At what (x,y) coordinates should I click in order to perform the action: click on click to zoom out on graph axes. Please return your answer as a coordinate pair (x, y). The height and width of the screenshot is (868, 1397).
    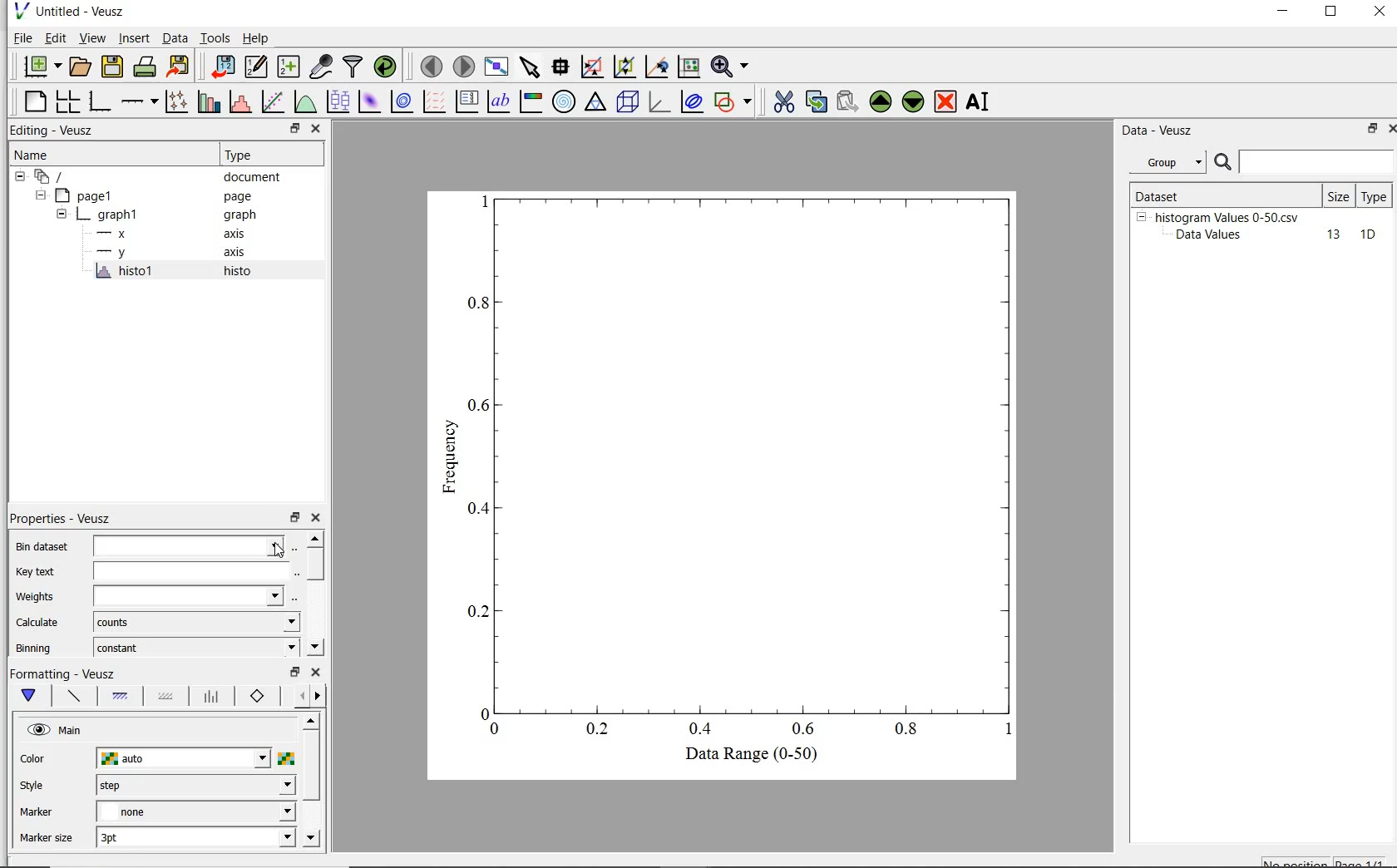
    Looking at the image, I should click on (656, 67).